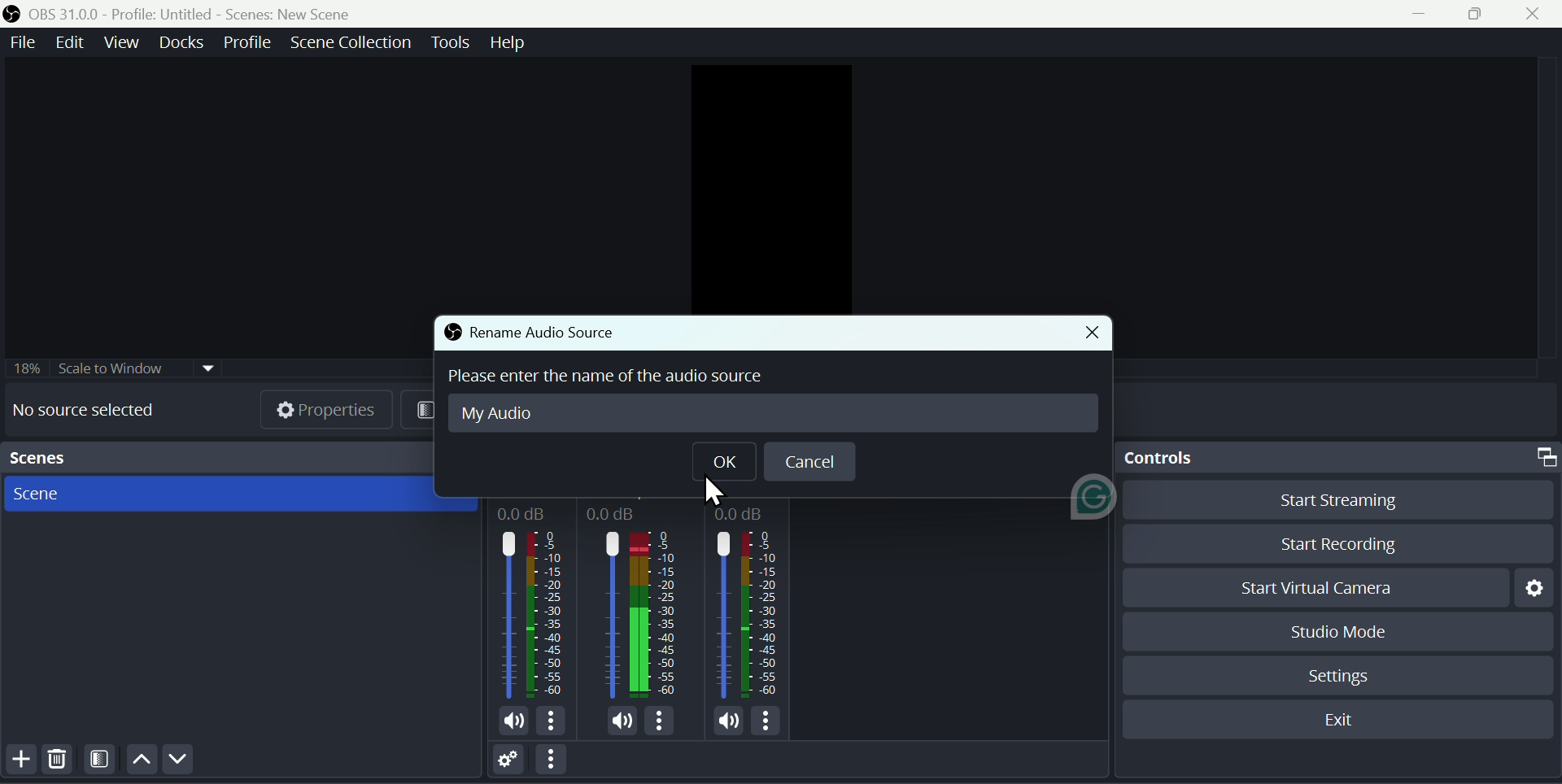 The height and width of the screenshot is (784, 1562). I want to click on My audio, so click(502, 416).